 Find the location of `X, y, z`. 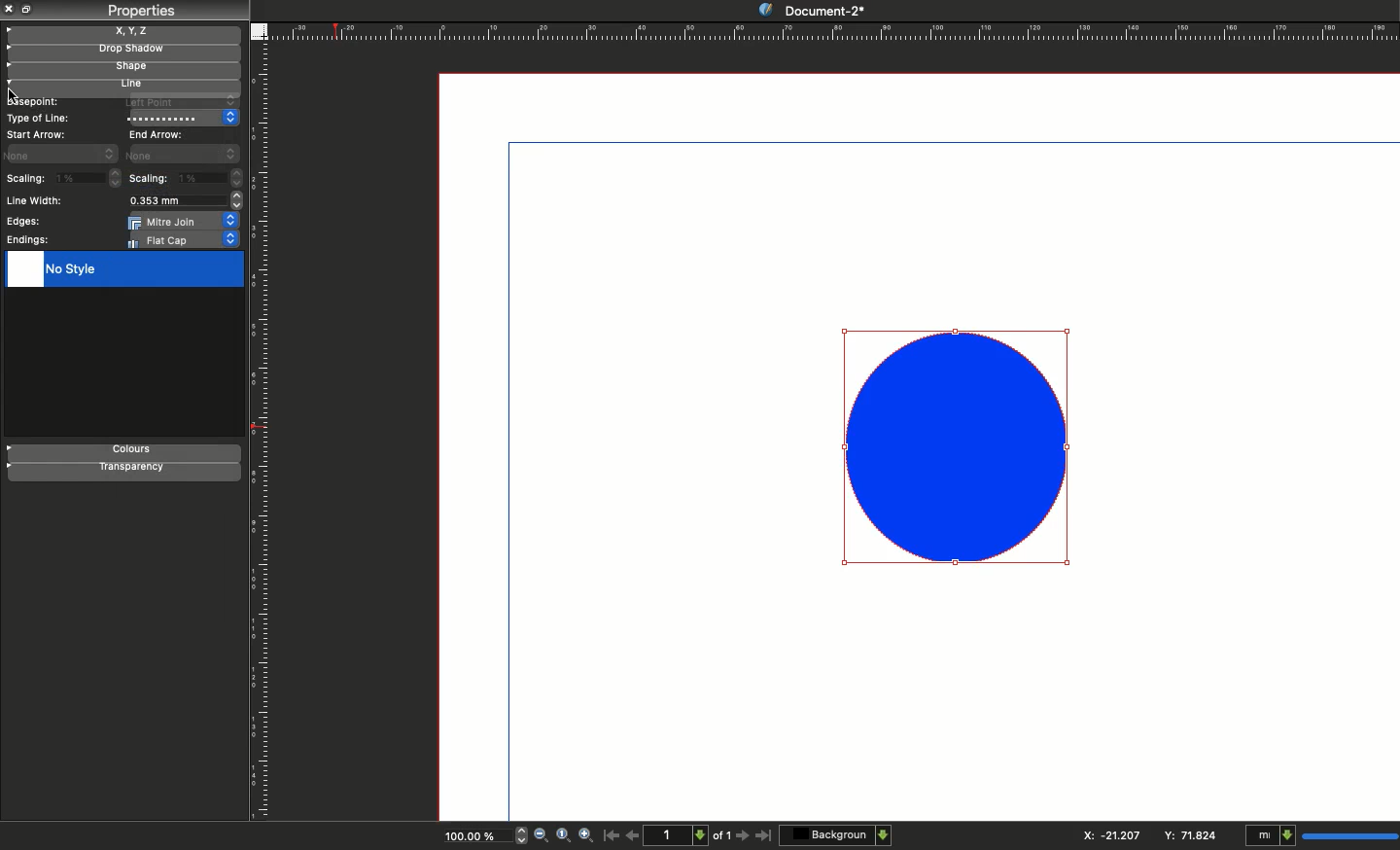

X, y, z is located at coordinates (123, 31).